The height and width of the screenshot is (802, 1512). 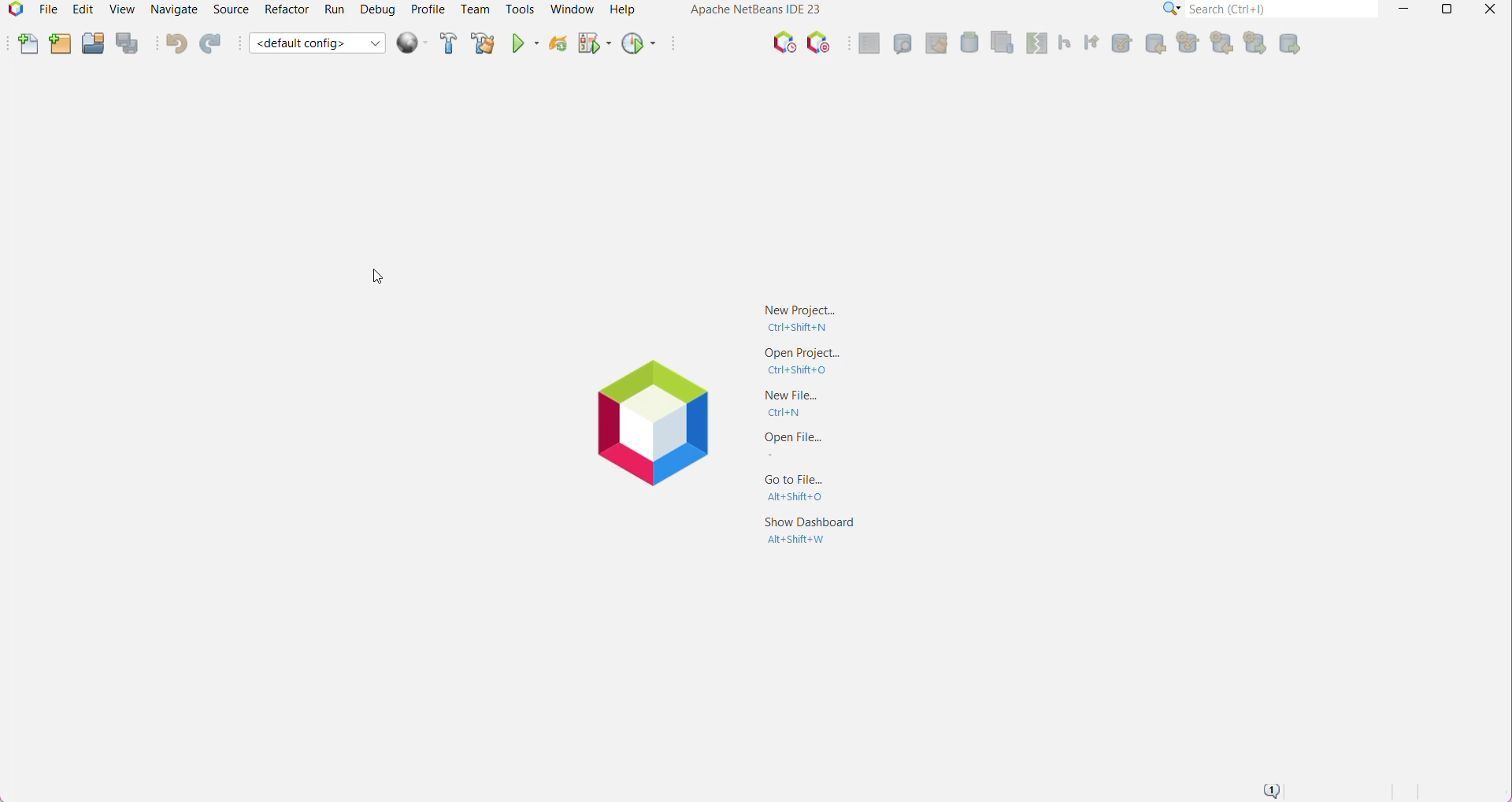 What do you see at coordinates (483, 44) in the screenshot?
I see `Clean and Build Main Project` at bounding box center [483, 44].